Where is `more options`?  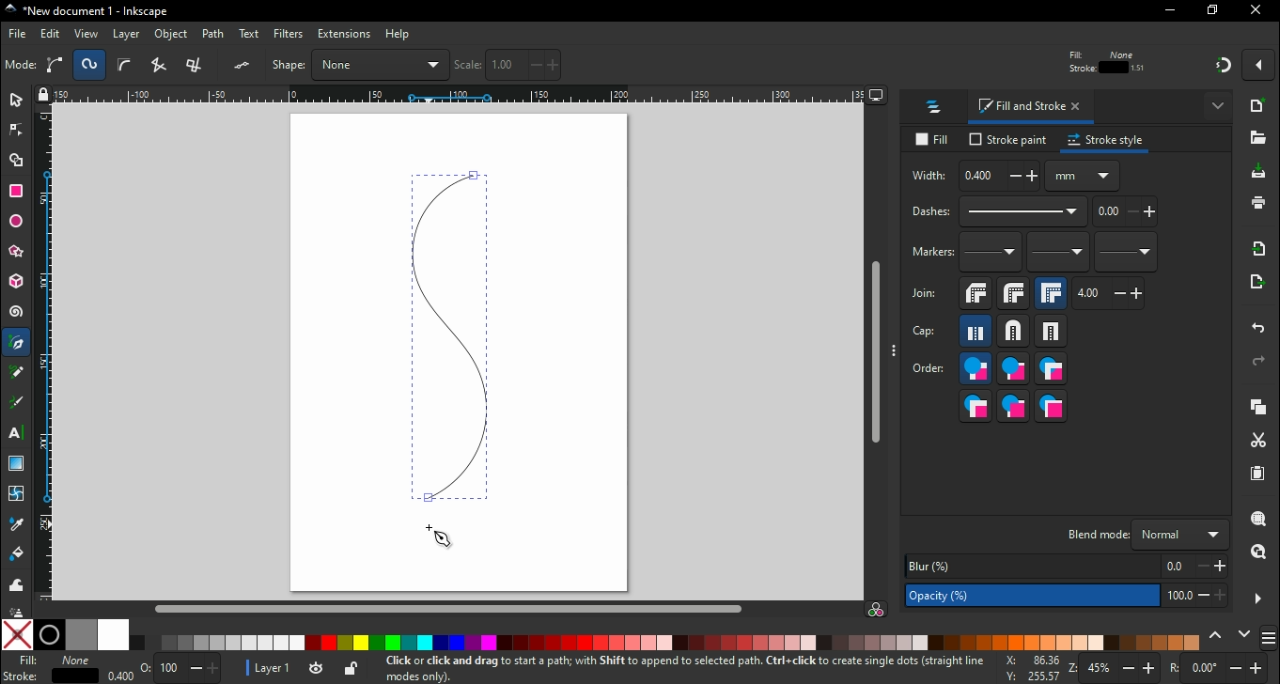
more options is located at coordinates (895, 354).